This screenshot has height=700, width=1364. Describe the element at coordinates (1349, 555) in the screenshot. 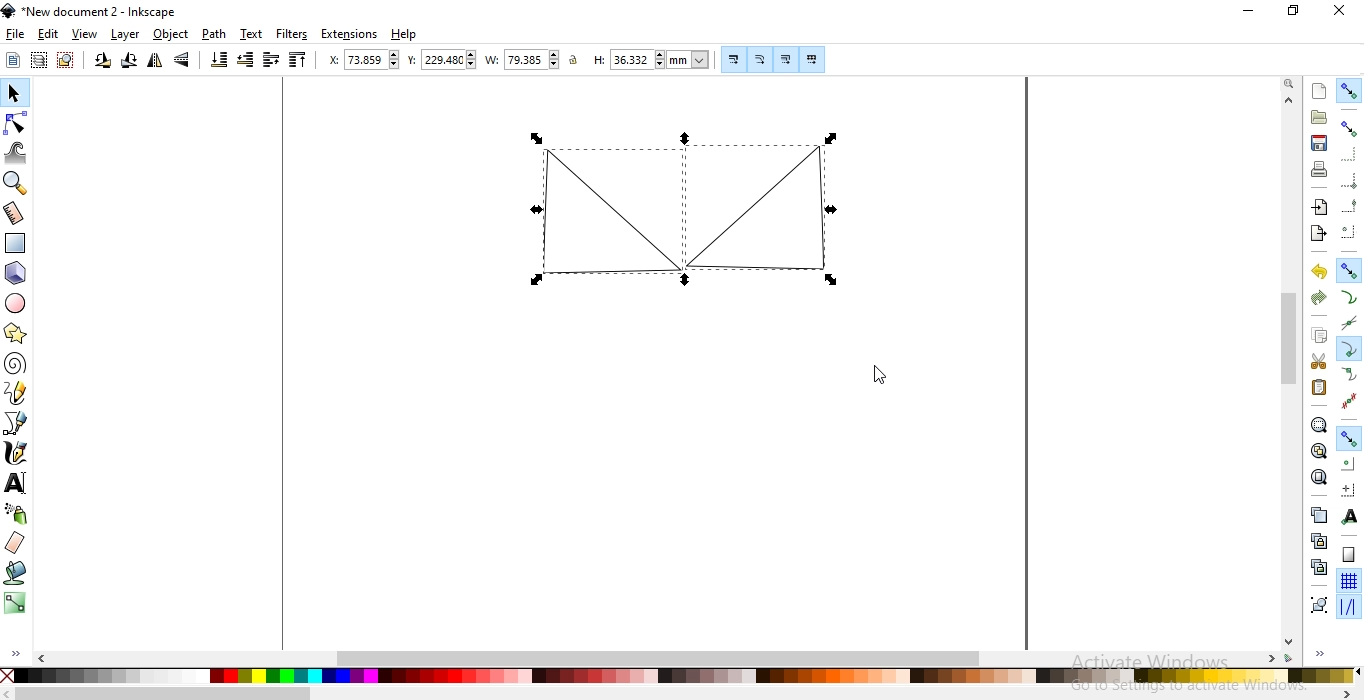

I see `snap to page border` at that location.